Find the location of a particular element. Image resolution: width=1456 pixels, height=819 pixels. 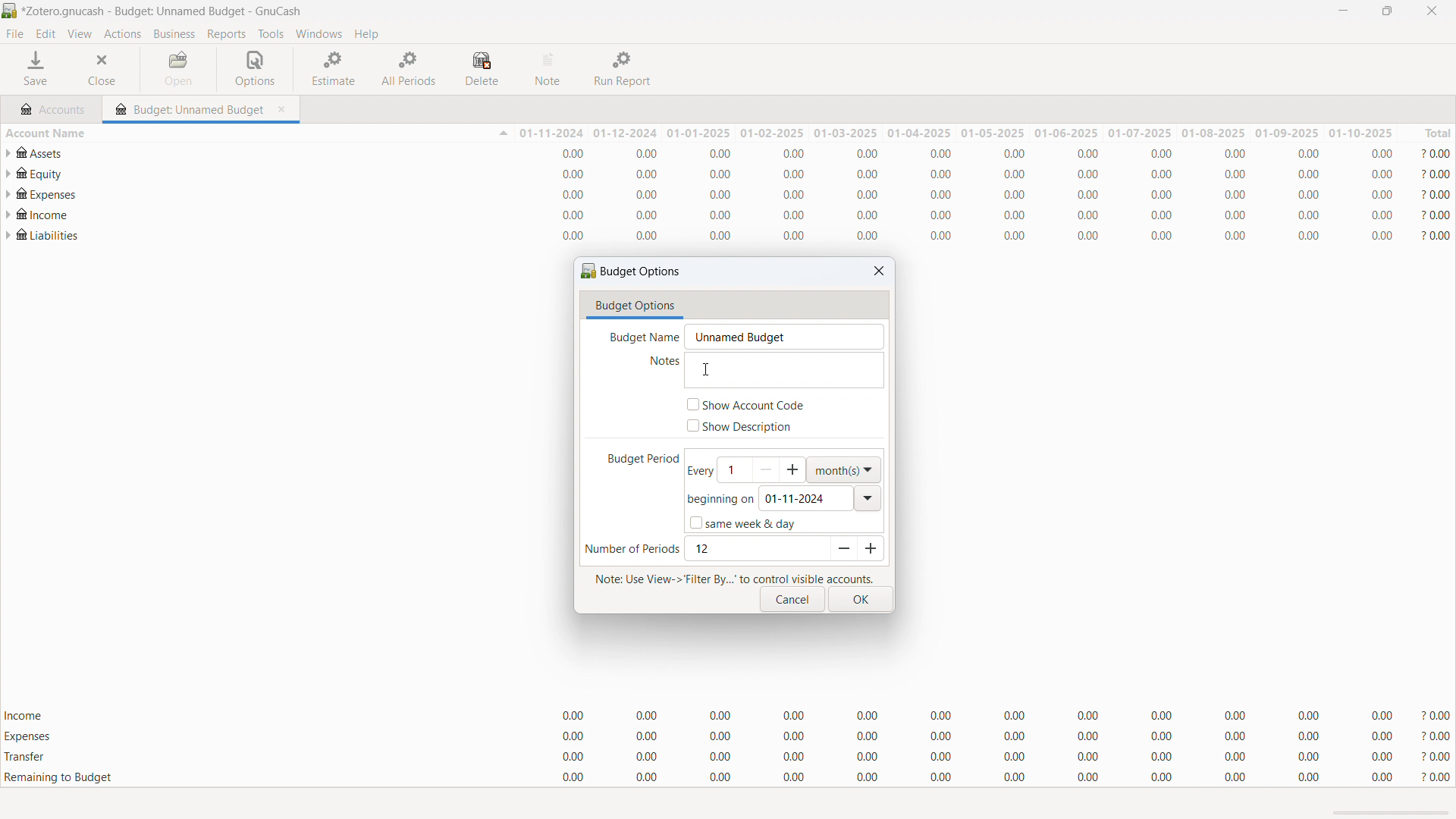

budget options is located at coordinates (635, 306).